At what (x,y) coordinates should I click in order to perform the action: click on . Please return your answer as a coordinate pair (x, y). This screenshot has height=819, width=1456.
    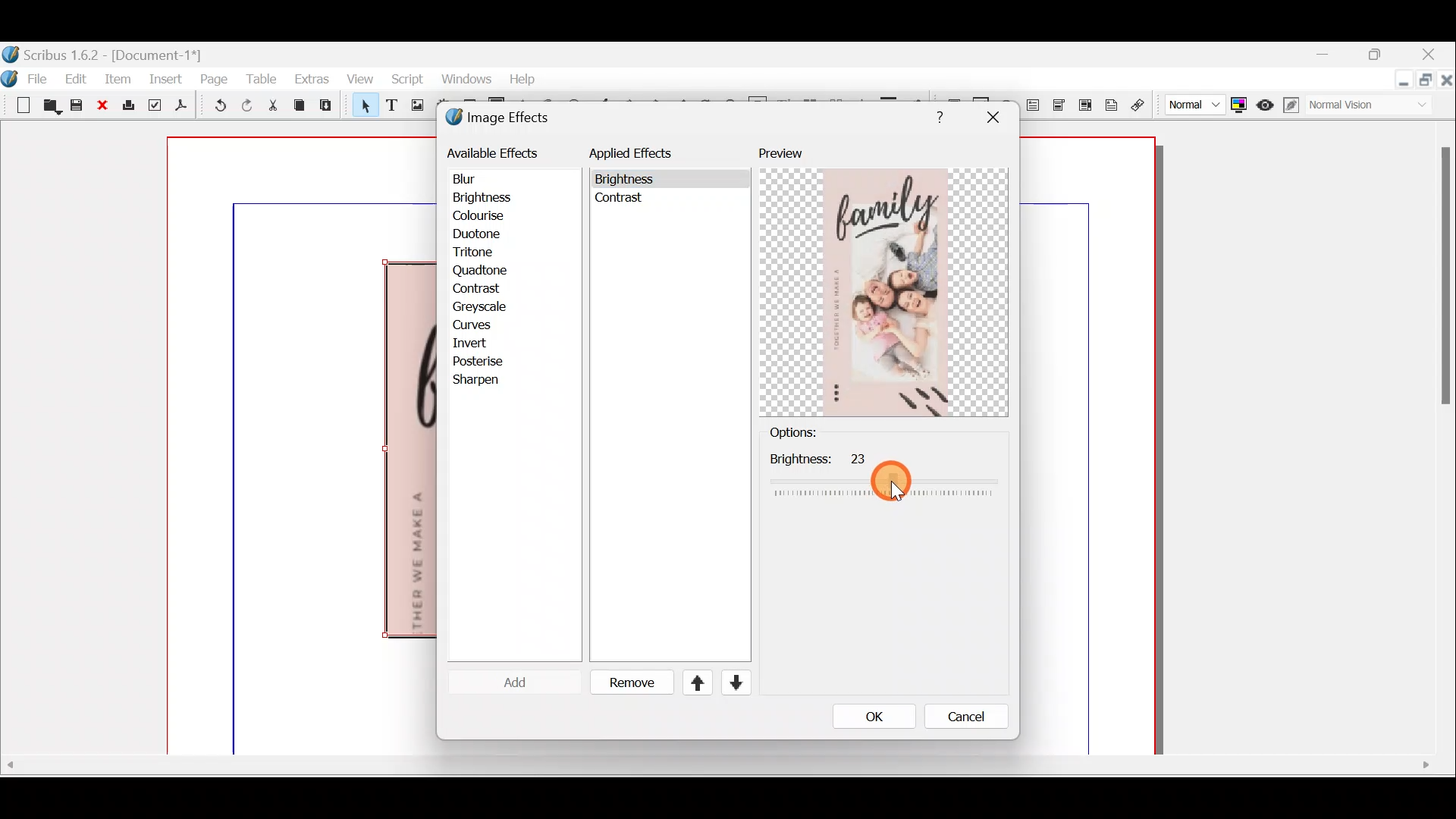
    Looking at the image, I should click on (936, 115).